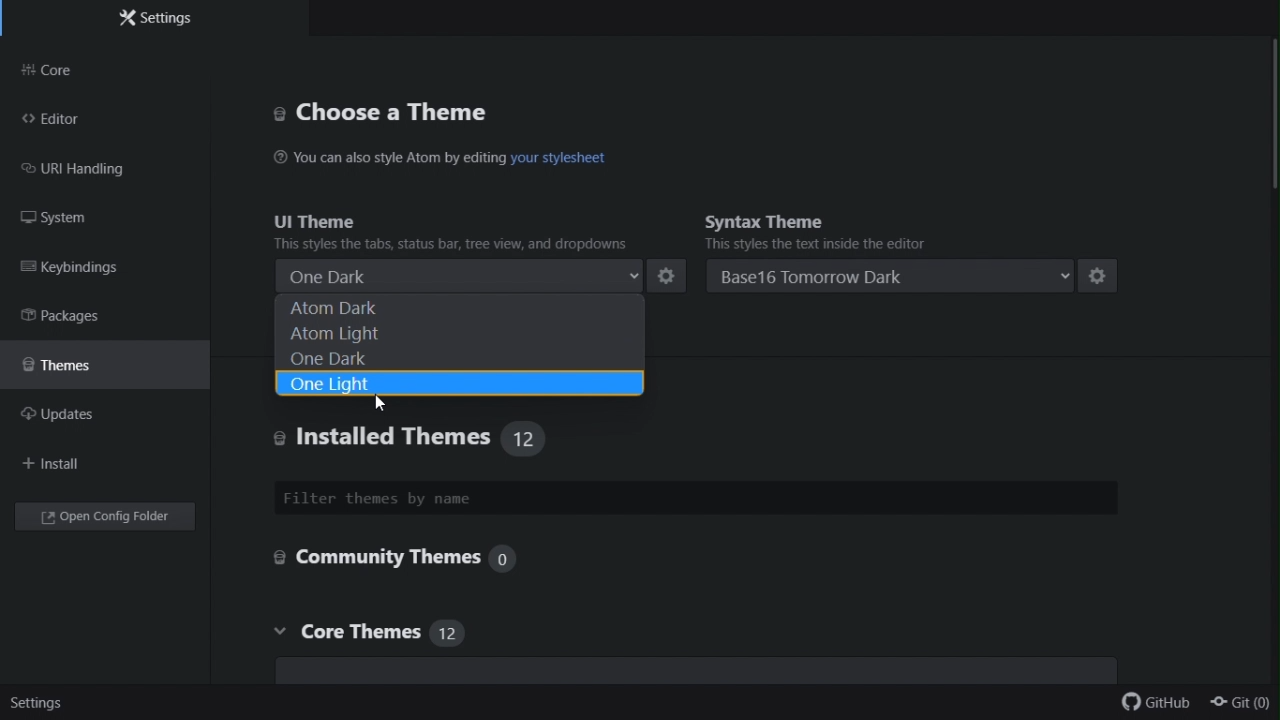  Describe the element at coordinates (894, 277) in the screenshot. I see `base 16 tomorrow dark` at that location.